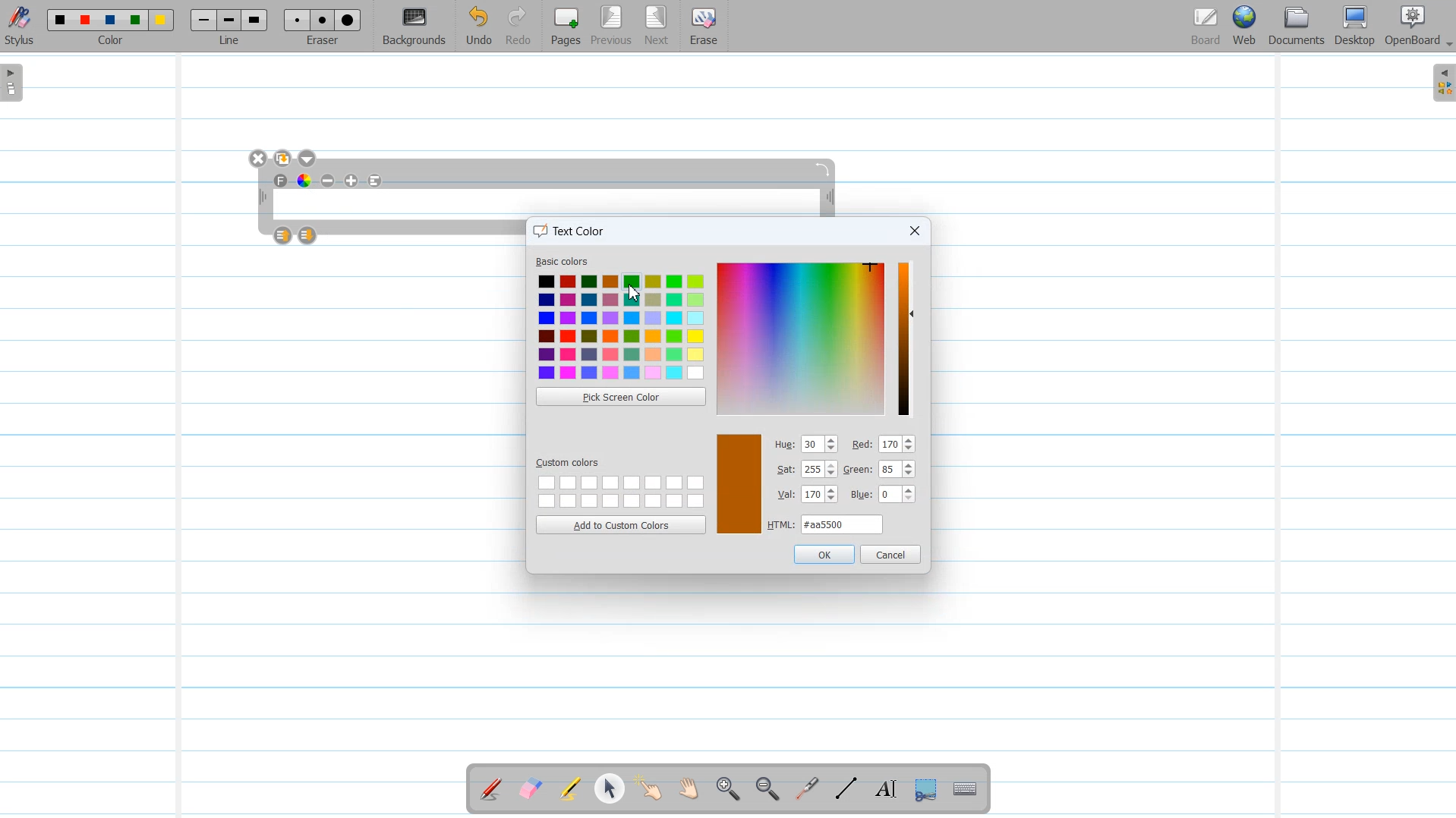 This screenshot has width=1456, height=818. I want to click on Zoom Out, so click(764, 790).